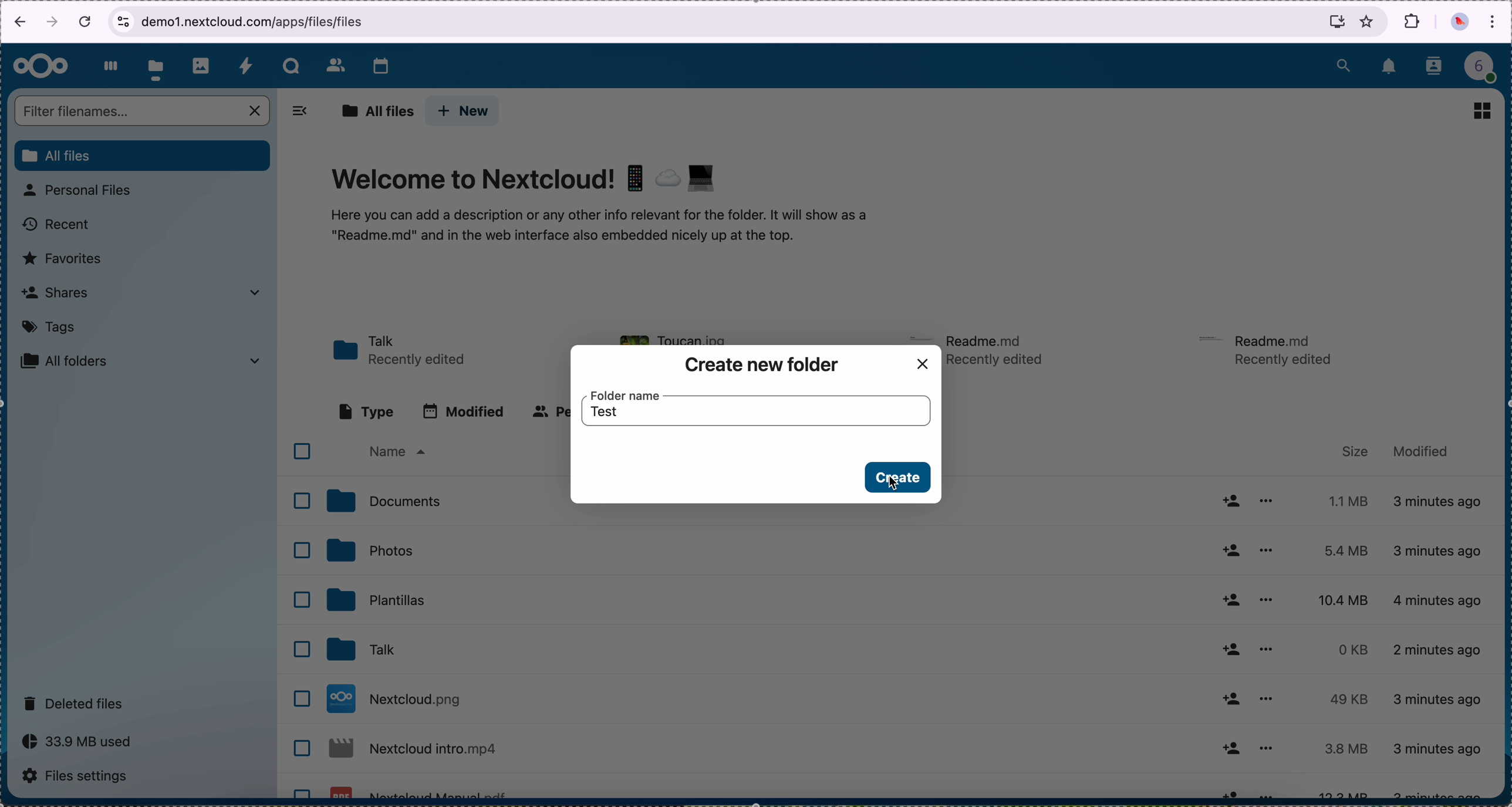  Describe the element at coordinates (597, 229) in the screenshot. I see `welcome text` at that location.